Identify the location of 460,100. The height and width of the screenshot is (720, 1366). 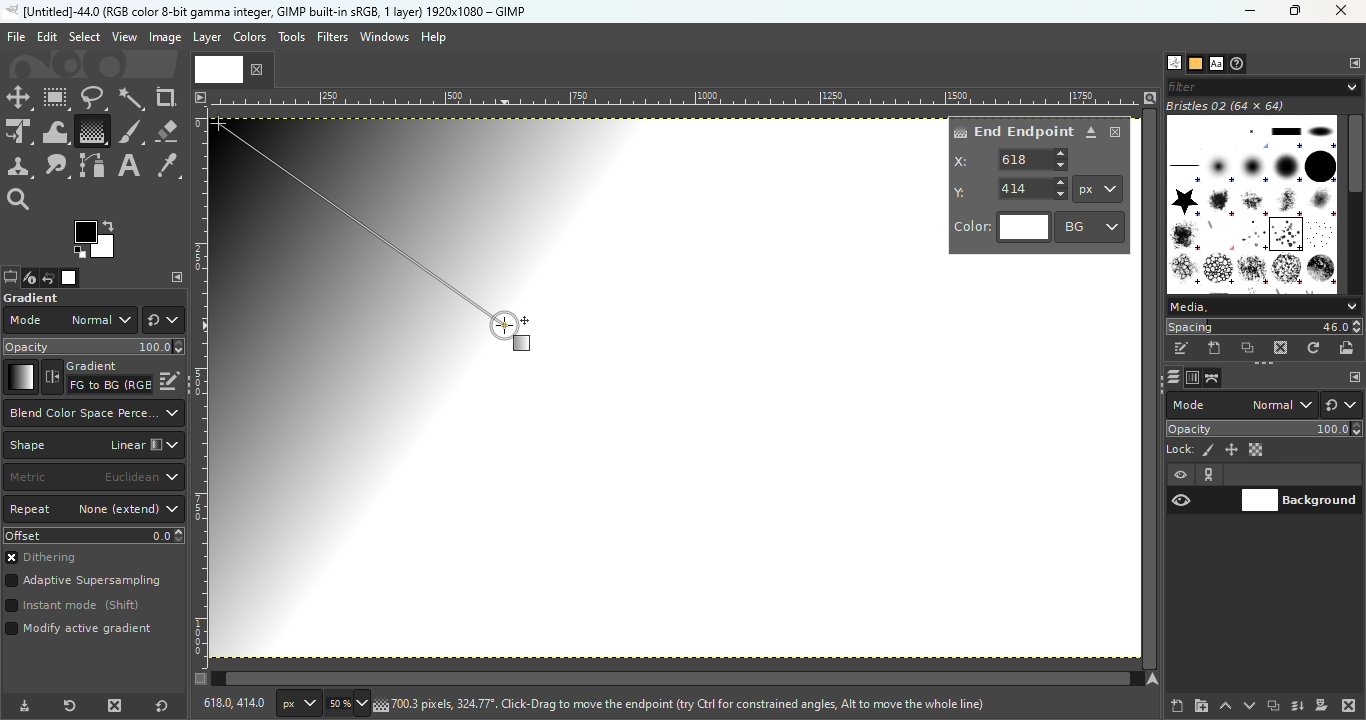
(231, 702).